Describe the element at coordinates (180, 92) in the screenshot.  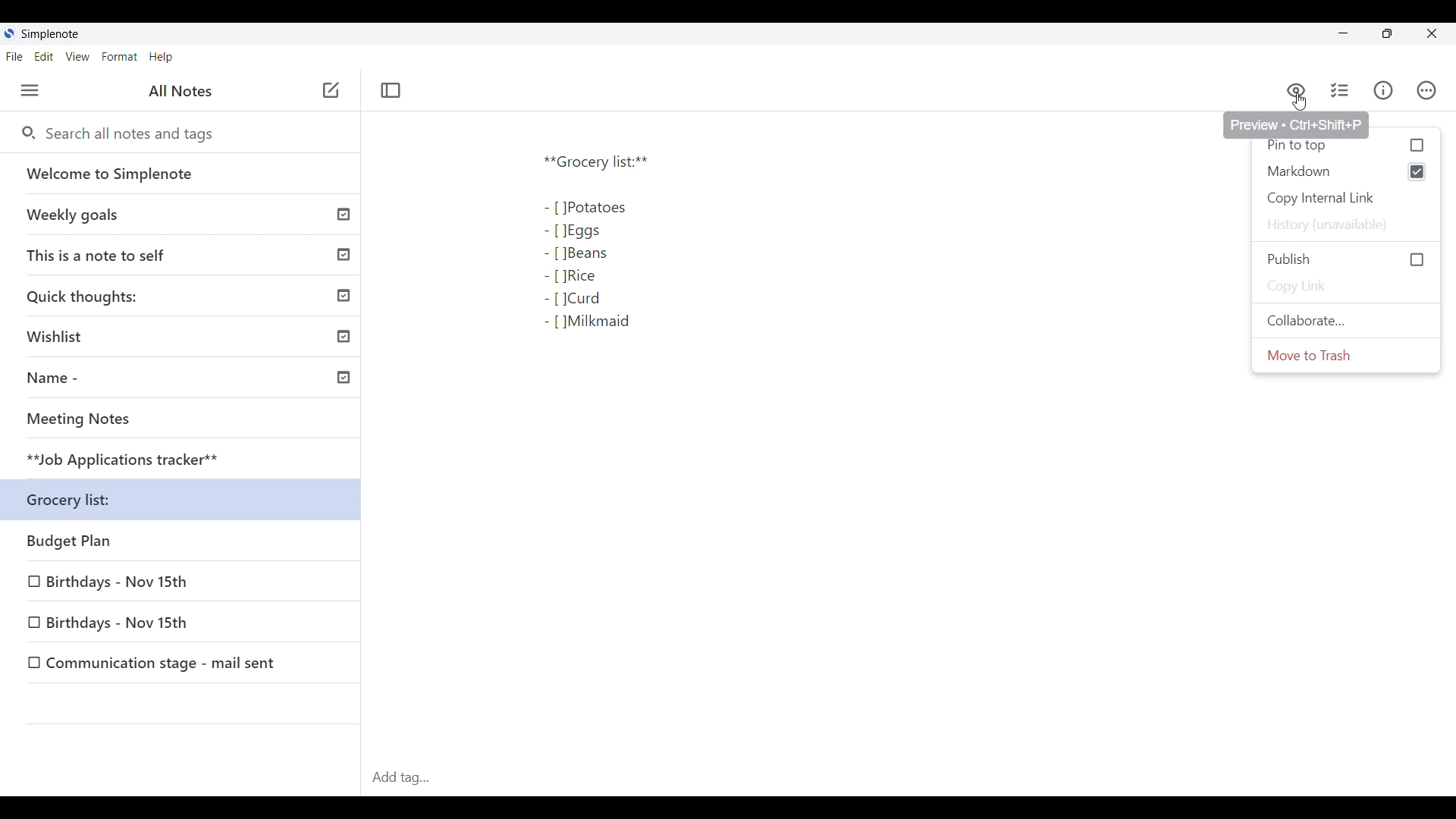
I see `All Notes` at that location.